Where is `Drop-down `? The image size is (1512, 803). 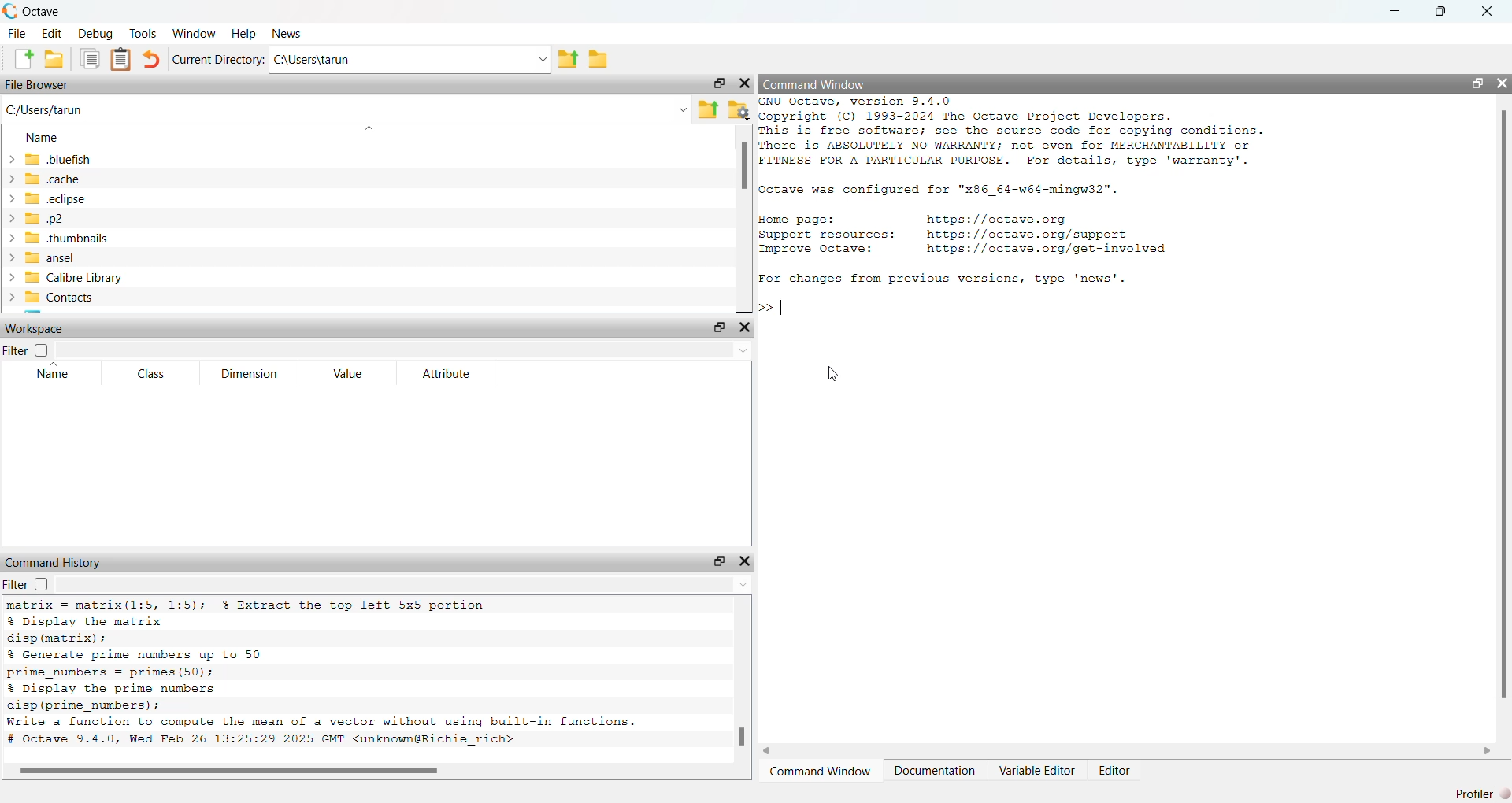
Drop-down  is located at coordinates (744, 352).